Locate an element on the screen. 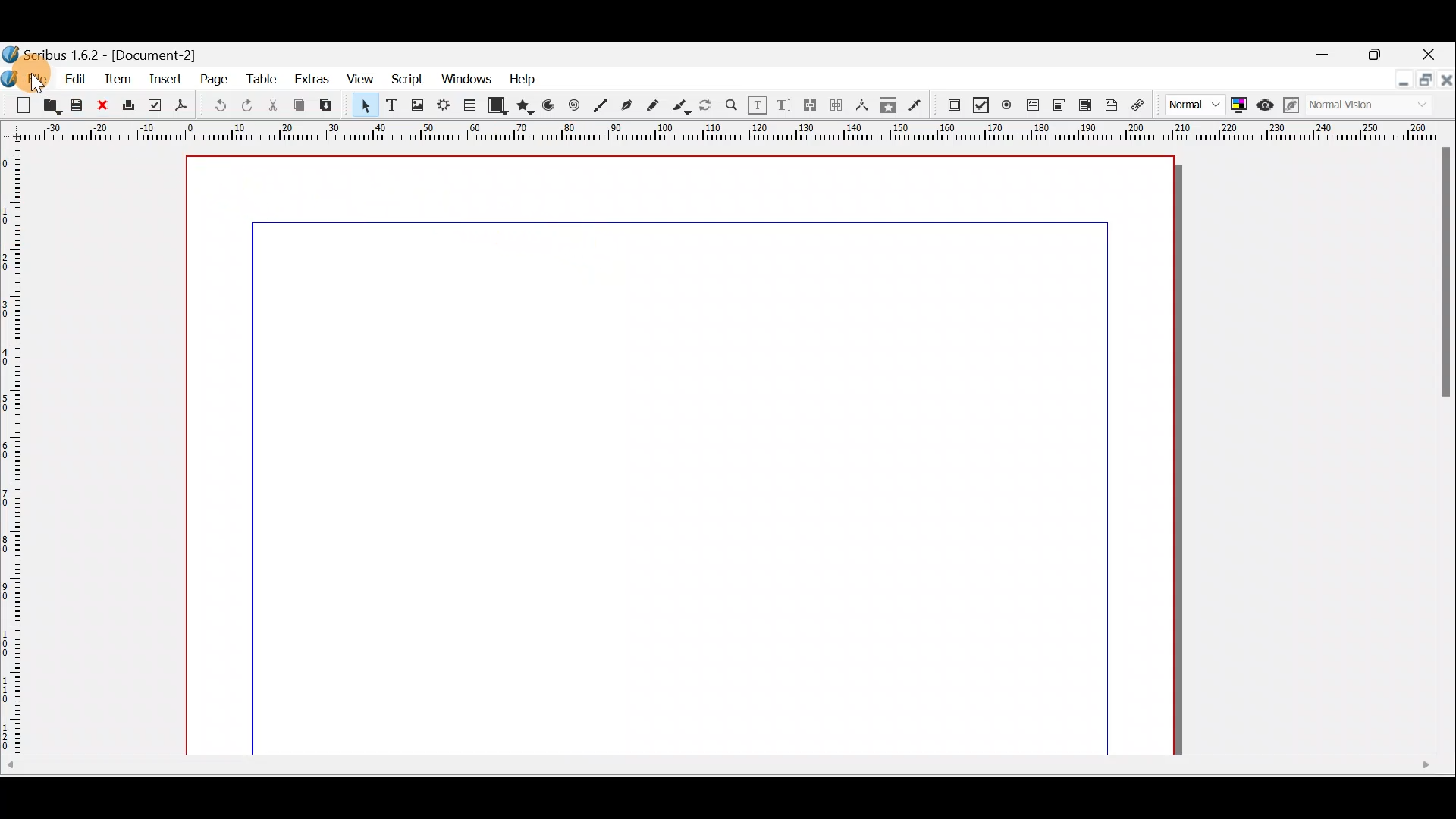 The height and width of the screenshot is (819, 1456). Page is located at coordinates (213, 78).